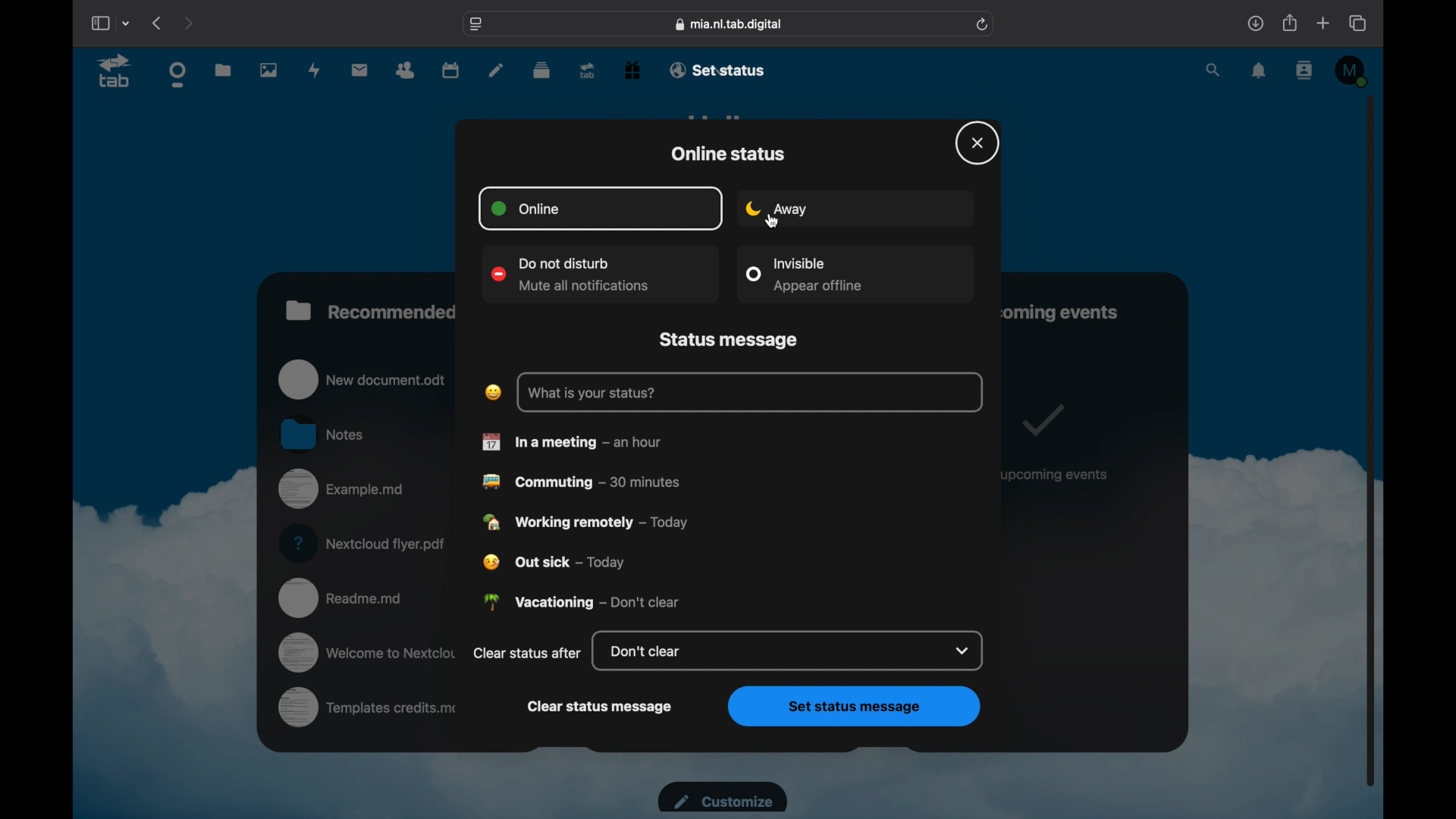 The image size is (1456, 819). I want to click on notes, so click(496, 71).